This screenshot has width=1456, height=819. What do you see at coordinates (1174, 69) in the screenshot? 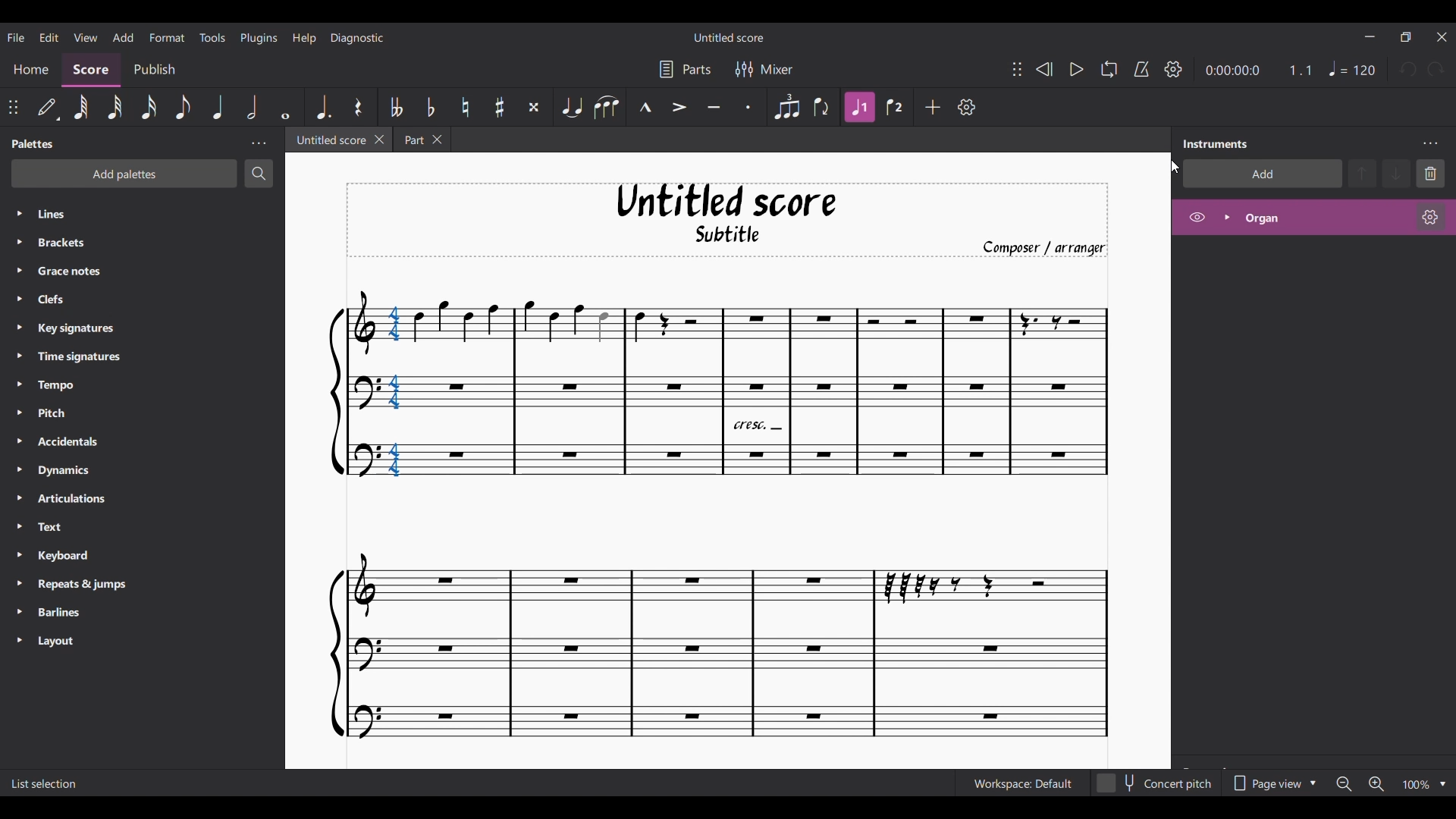
I see `Playback settings` at bounding box center [1174, 69].